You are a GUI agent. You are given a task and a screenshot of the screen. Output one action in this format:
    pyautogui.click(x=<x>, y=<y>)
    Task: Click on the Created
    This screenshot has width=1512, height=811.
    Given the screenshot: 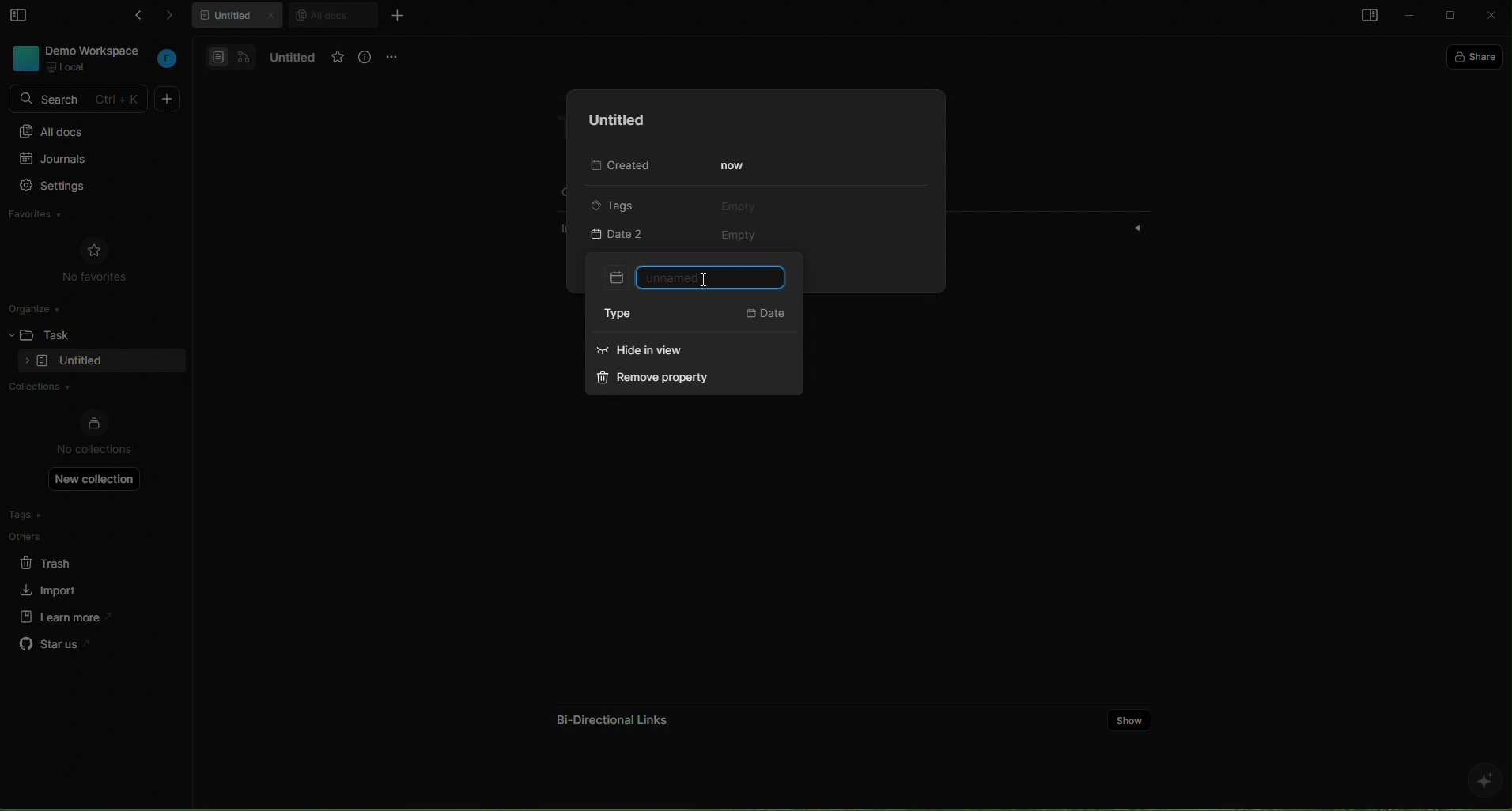 What is the action you would take?
    pyautogui.click(x=617, y=167)
    